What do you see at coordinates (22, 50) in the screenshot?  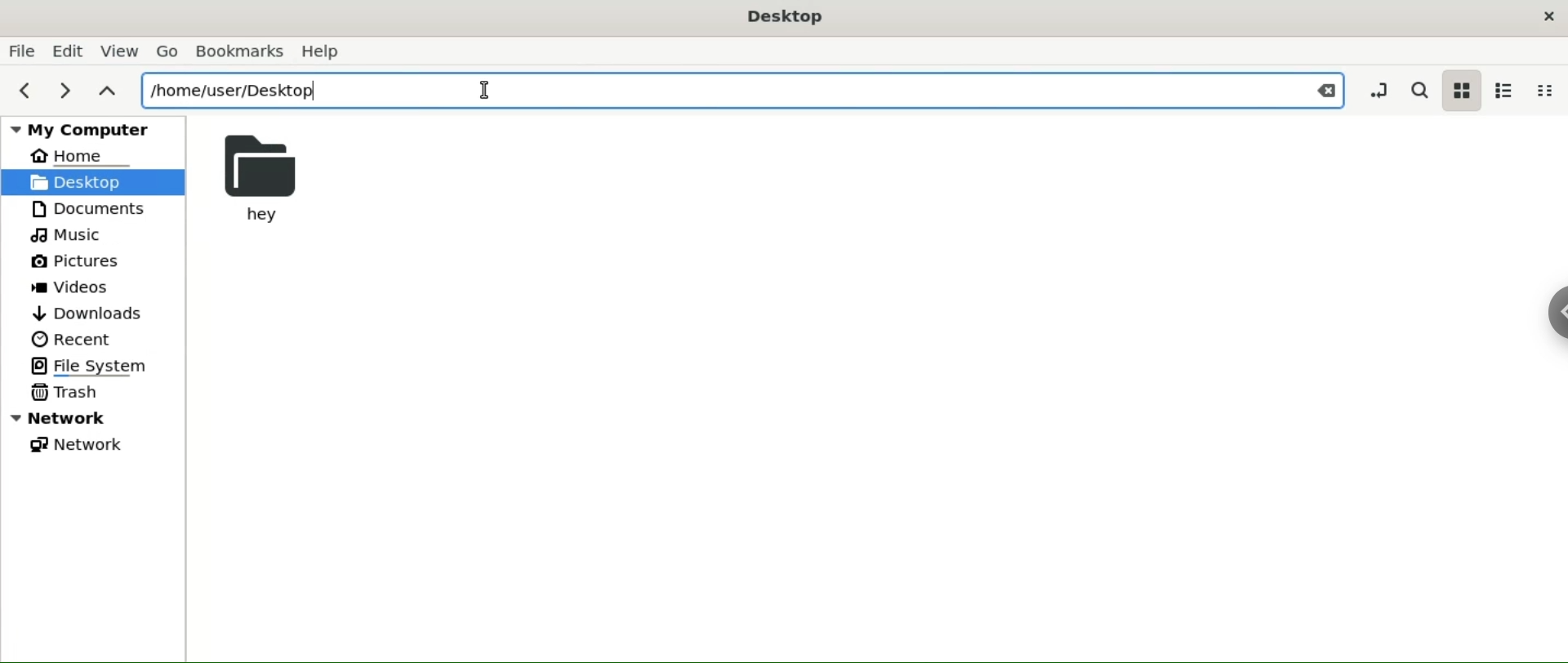 I see `file` at bounding box center [22, 50].